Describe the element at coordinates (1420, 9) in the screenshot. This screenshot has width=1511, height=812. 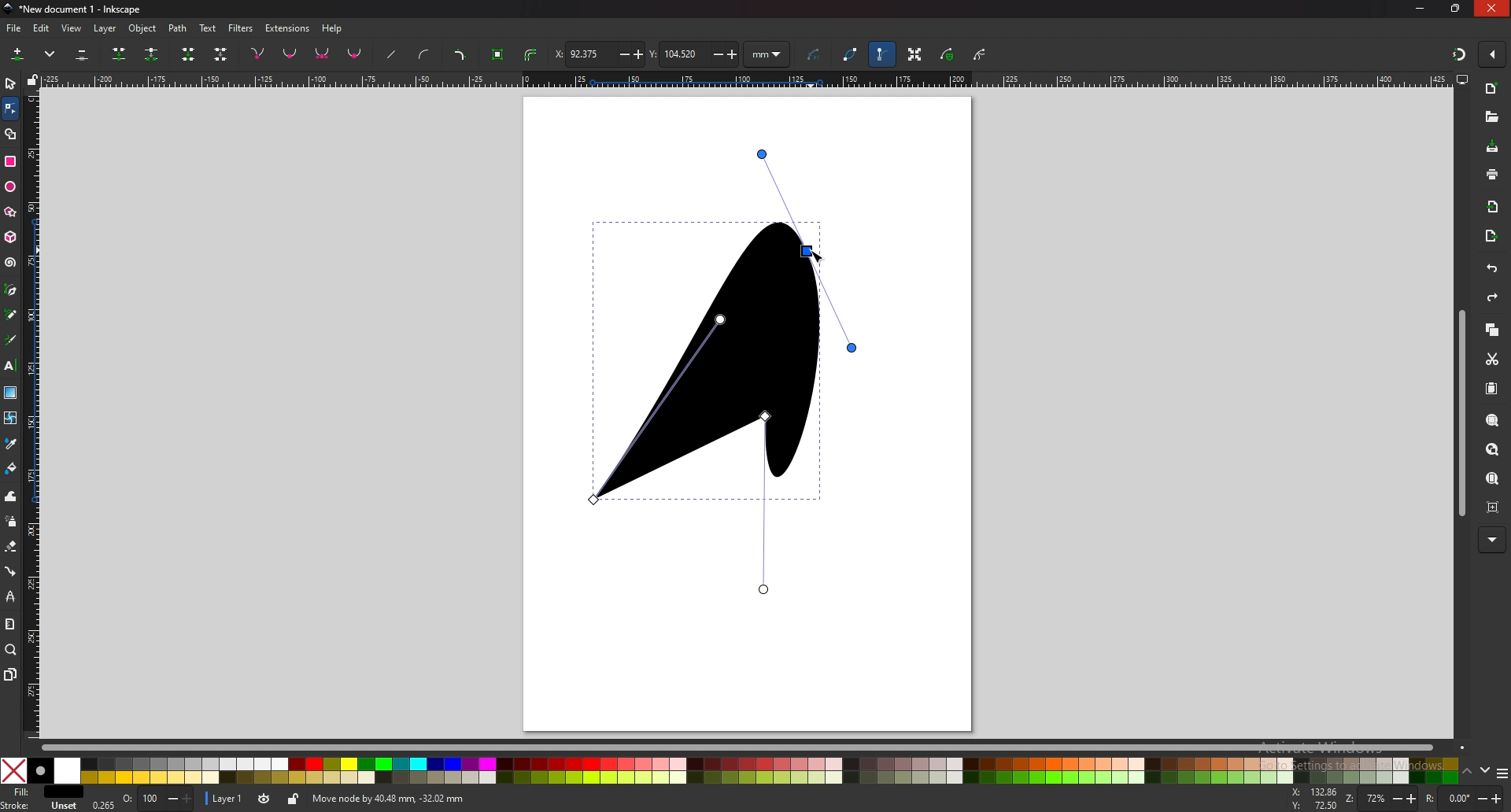
I see `minimize` at that location.